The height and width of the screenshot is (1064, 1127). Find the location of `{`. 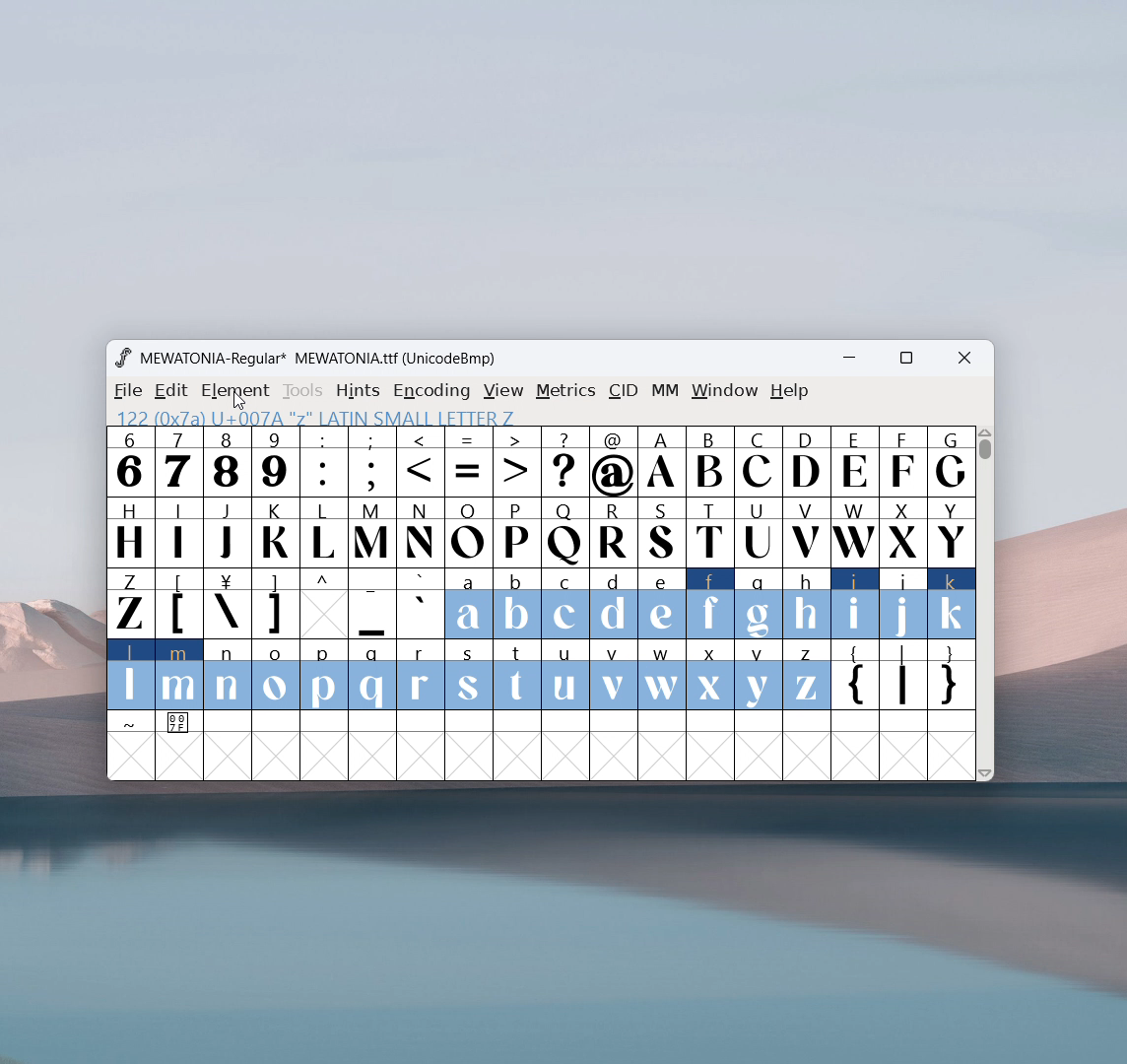

{ is located at coordinates (854, 677).